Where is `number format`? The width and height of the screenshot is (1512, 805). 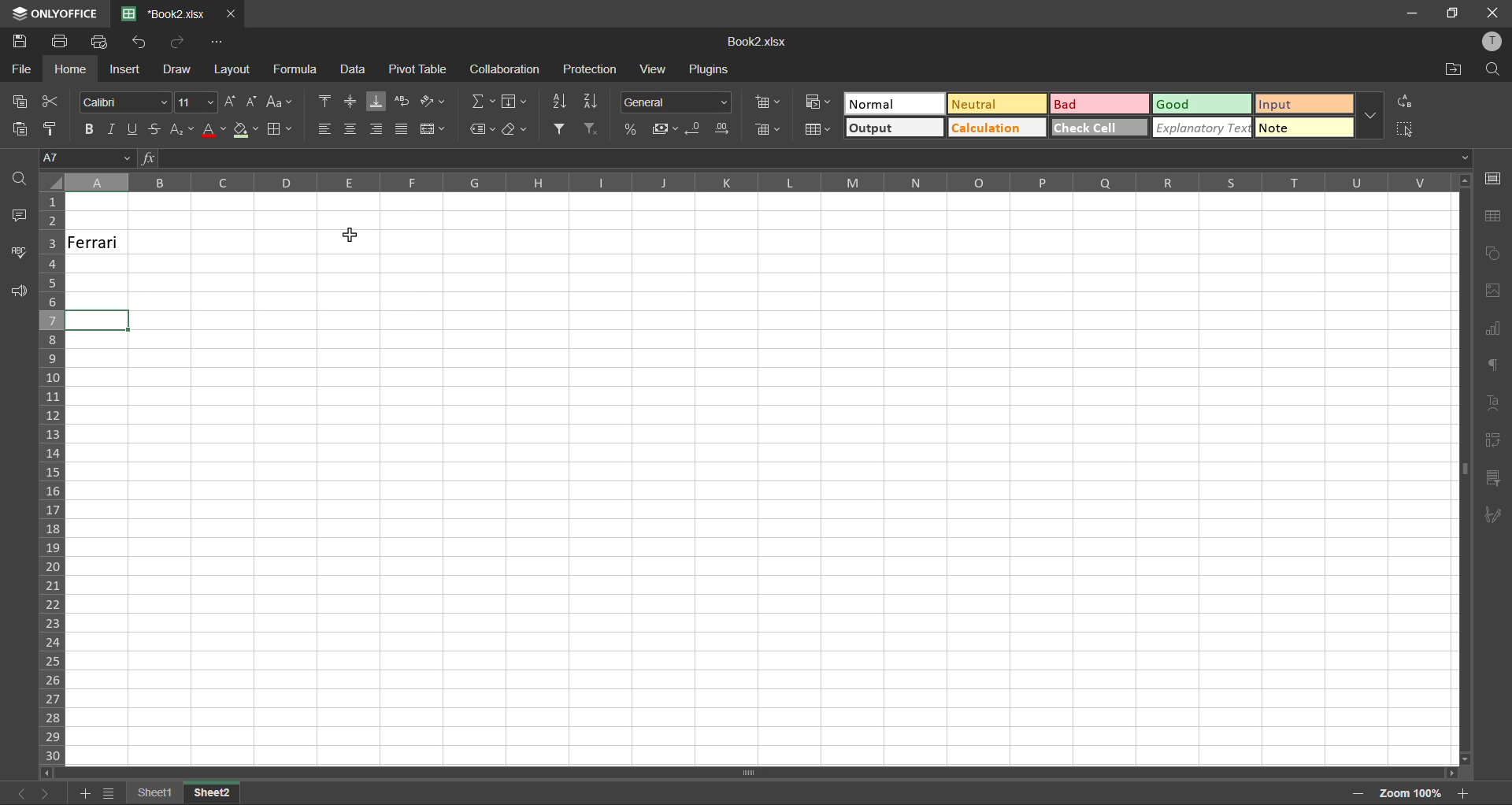
number format is located at coordinates (680, 103).